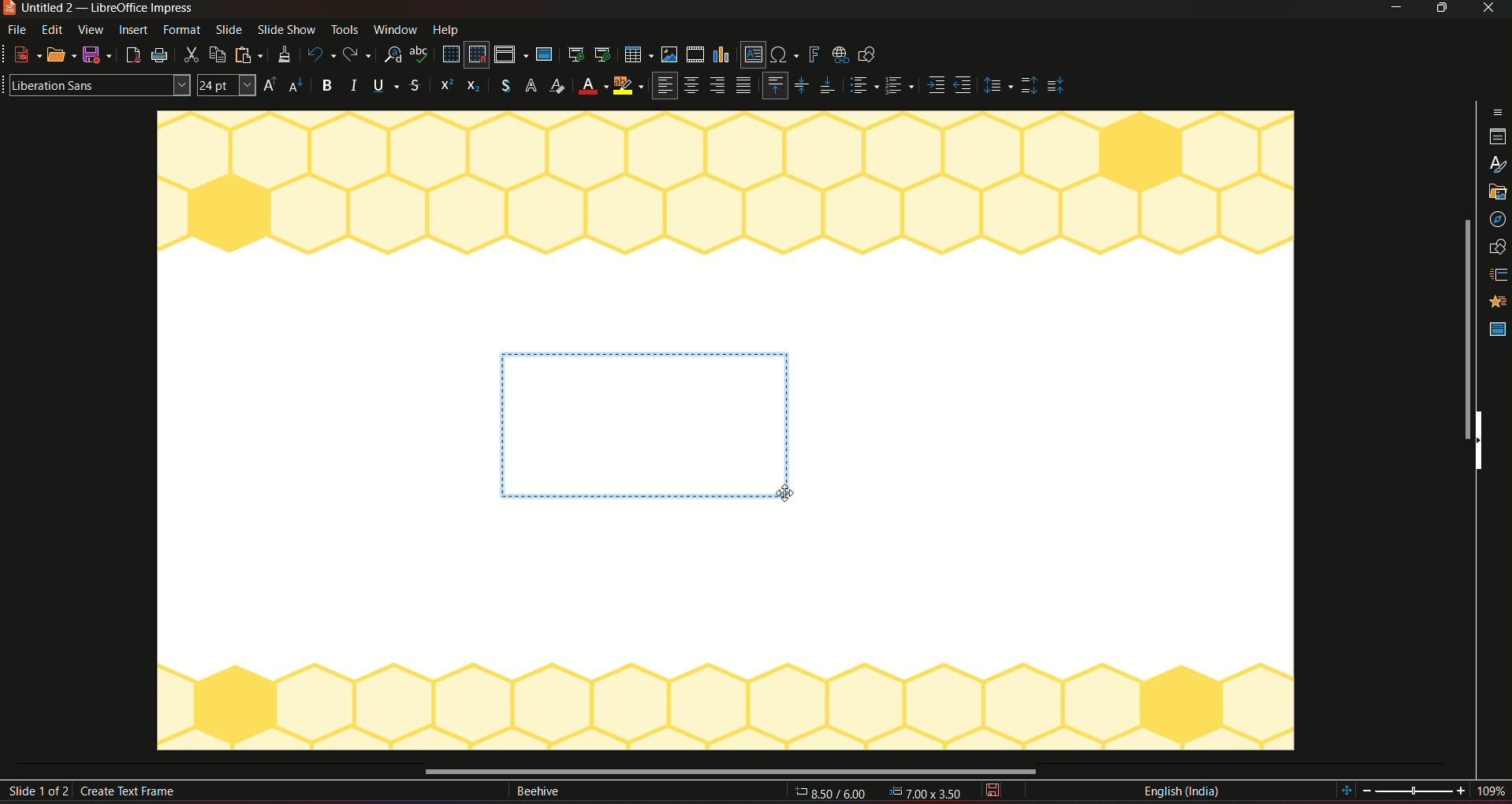 The width and height of the screenshot is (1512, 804). What do you see at coordinates (501, 87) in the screenshot?
I see `currency` at bounding box center [501, 87].